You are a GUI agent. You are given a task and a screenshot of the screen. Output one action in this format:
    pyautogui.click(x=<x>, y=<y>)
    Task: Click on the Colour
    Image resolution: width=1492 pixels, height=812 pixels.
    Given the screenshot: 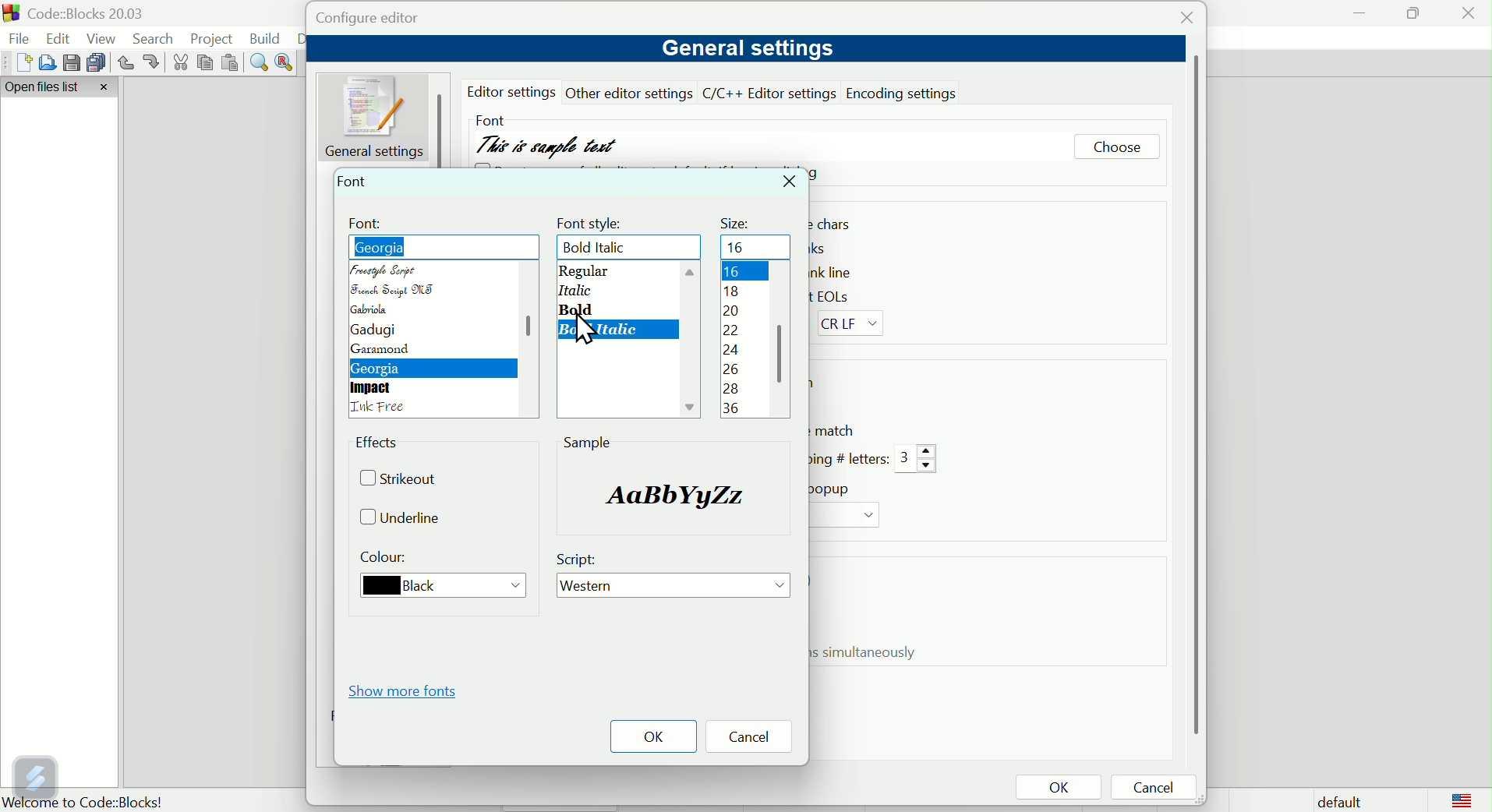 What is the action you would take?
    pyautogui.click(x=387, y=560)
    